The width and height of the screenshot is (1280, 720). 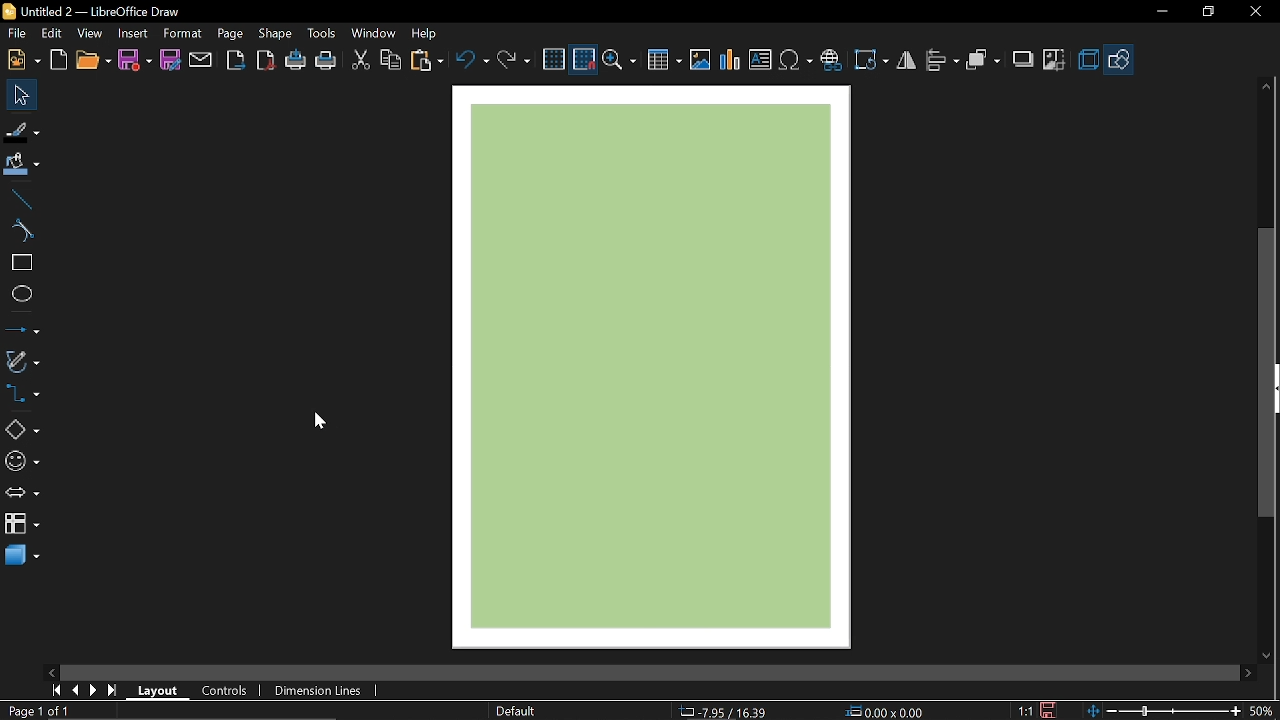 What do you see at coordinates (49, 671) in the screenshot?
I see `Move left` at bounding box center [49, 671].